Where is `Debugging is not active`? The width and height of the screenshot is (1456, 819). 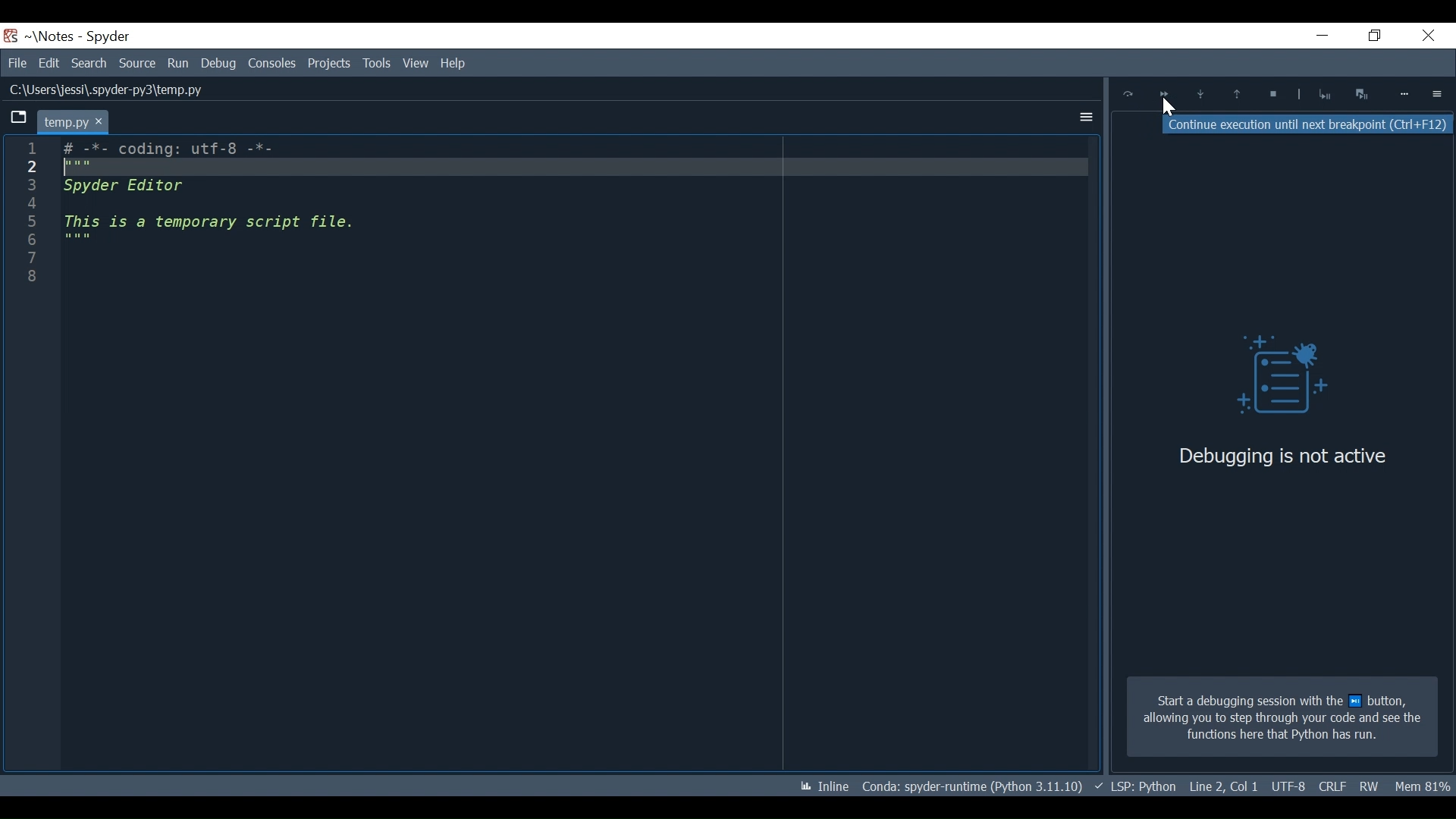 Debugging is not active is located at coordinates (1282, 456).